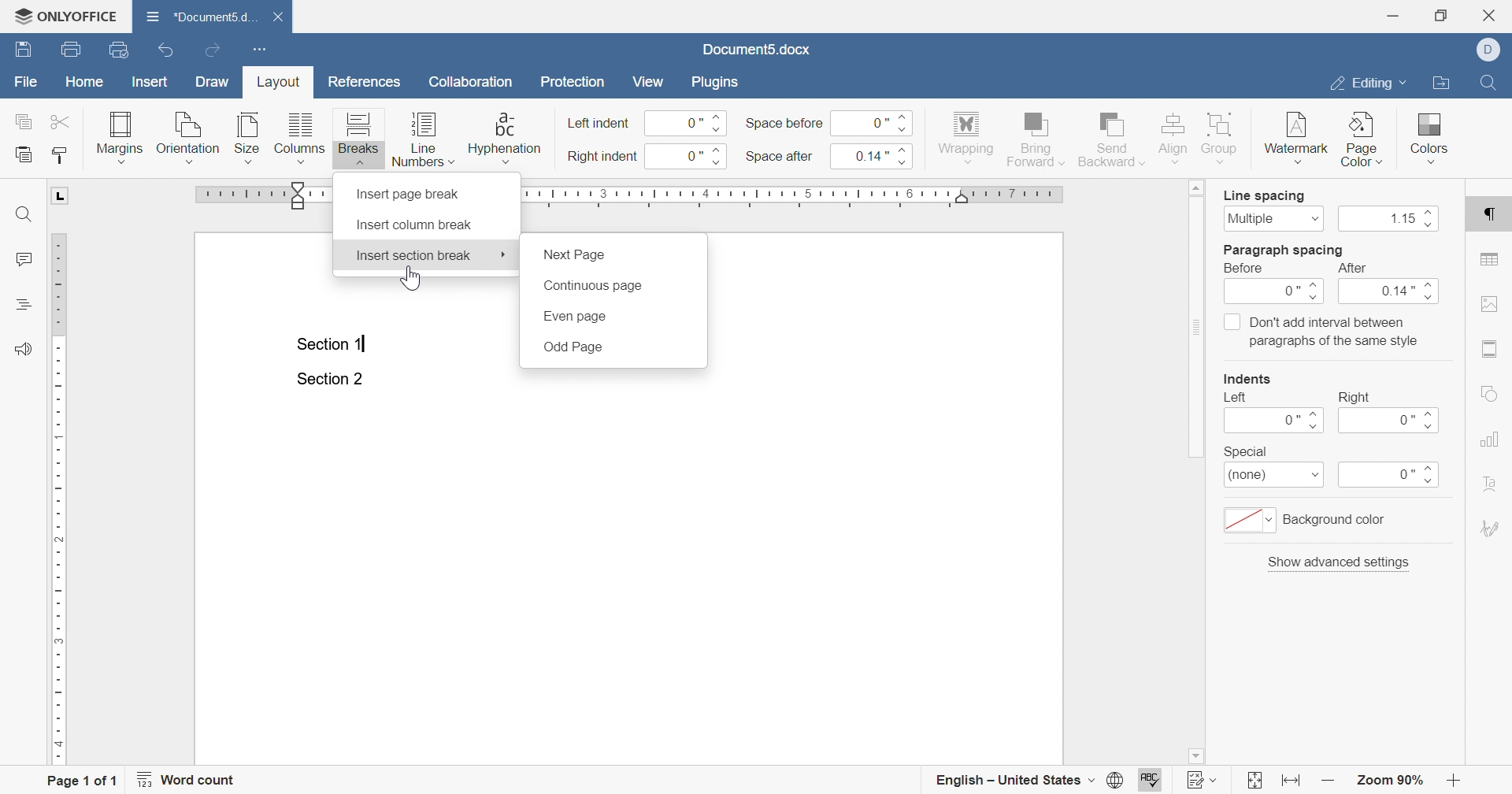 The width and height of the screenshot is (1512, 794). Describe the element at coordinates (281, 84) in the screenshot. I see `layout` at that location.